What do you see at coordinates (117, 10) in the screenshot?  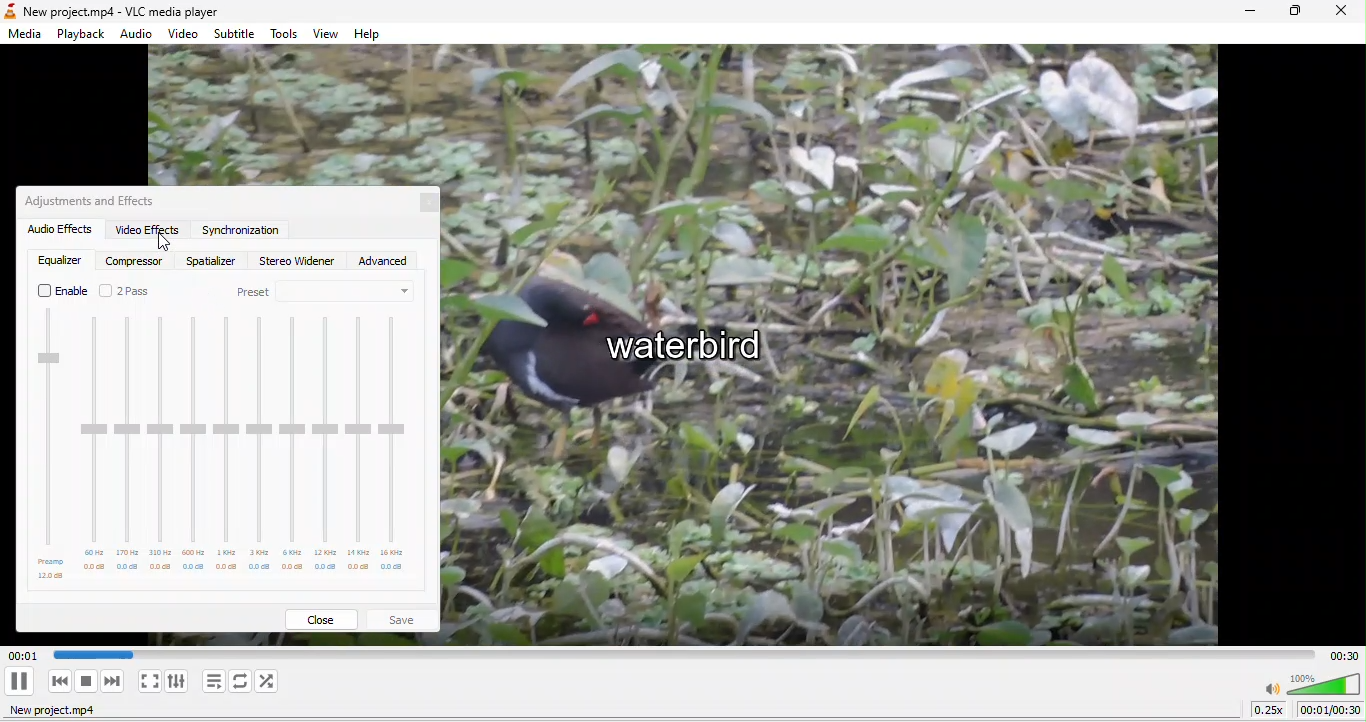 I see `New project.mp4 - VLC media player` at bounding box center [117, 10].